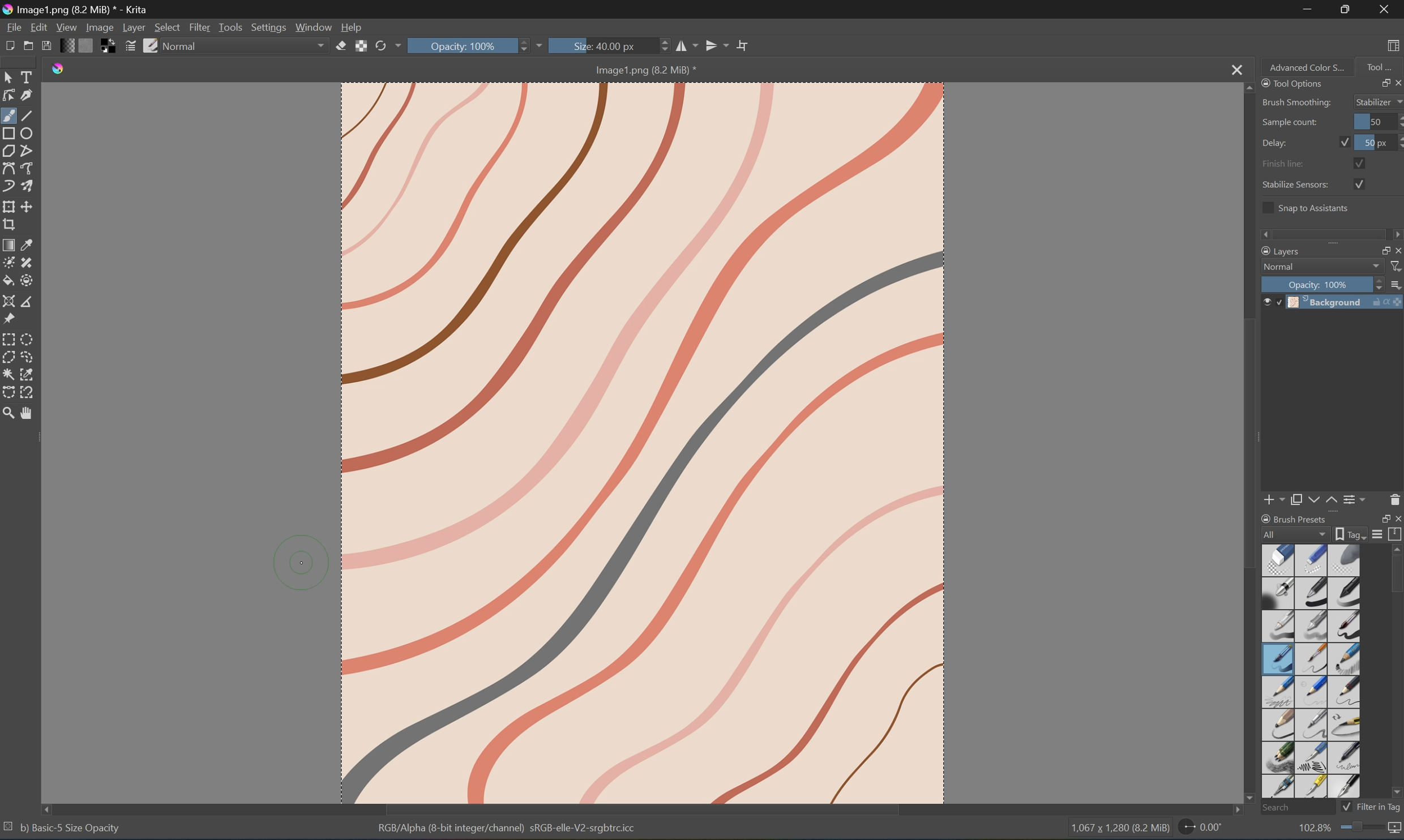  Describe the element at coordinates (167, 27) in the screenshot. I see `Select` at that location.